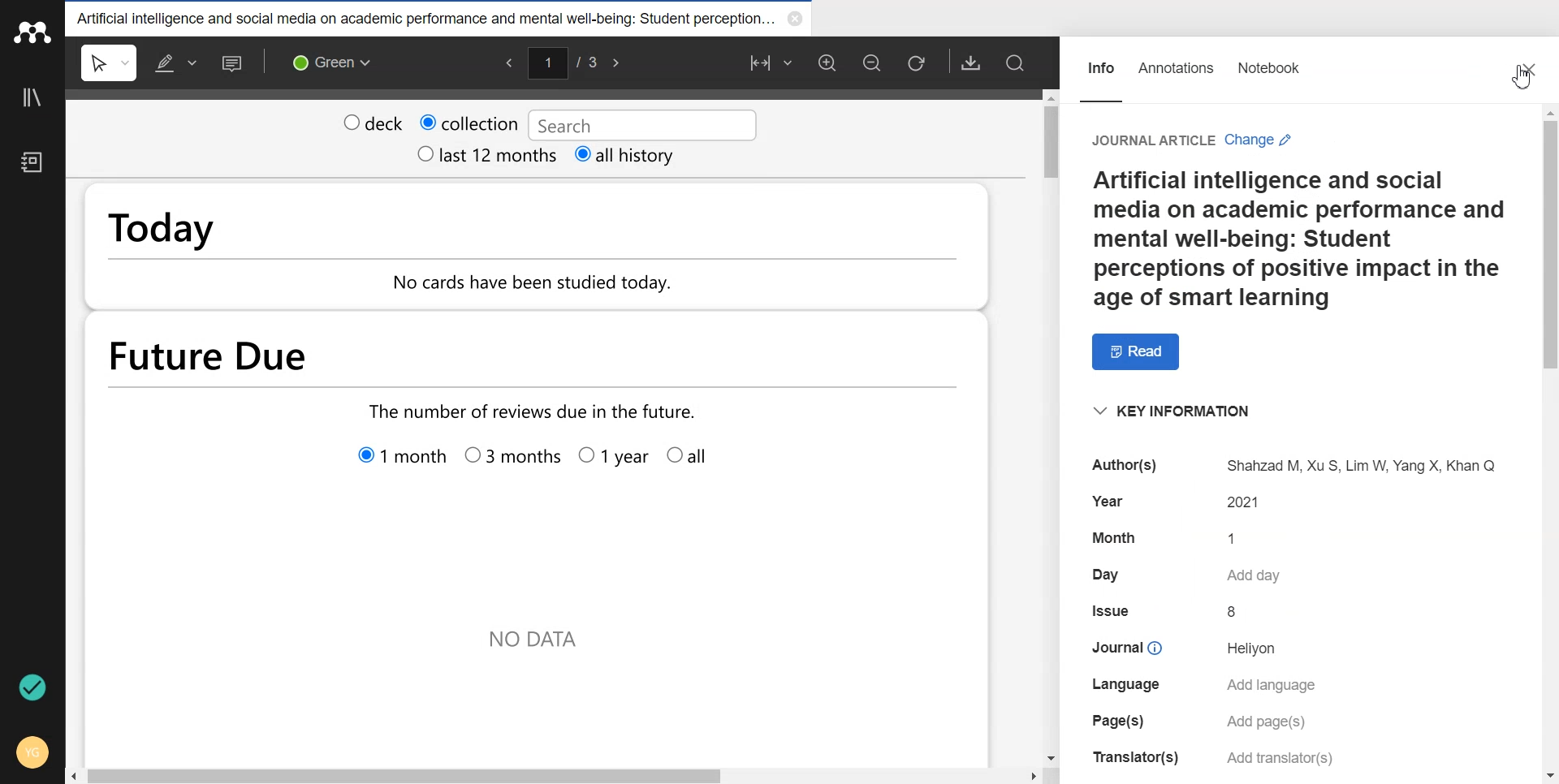 This screenshot has height=784, width=1559. Describe the element at coordinates (330, 62) in the screenshot. I see `Choose color` at that location.